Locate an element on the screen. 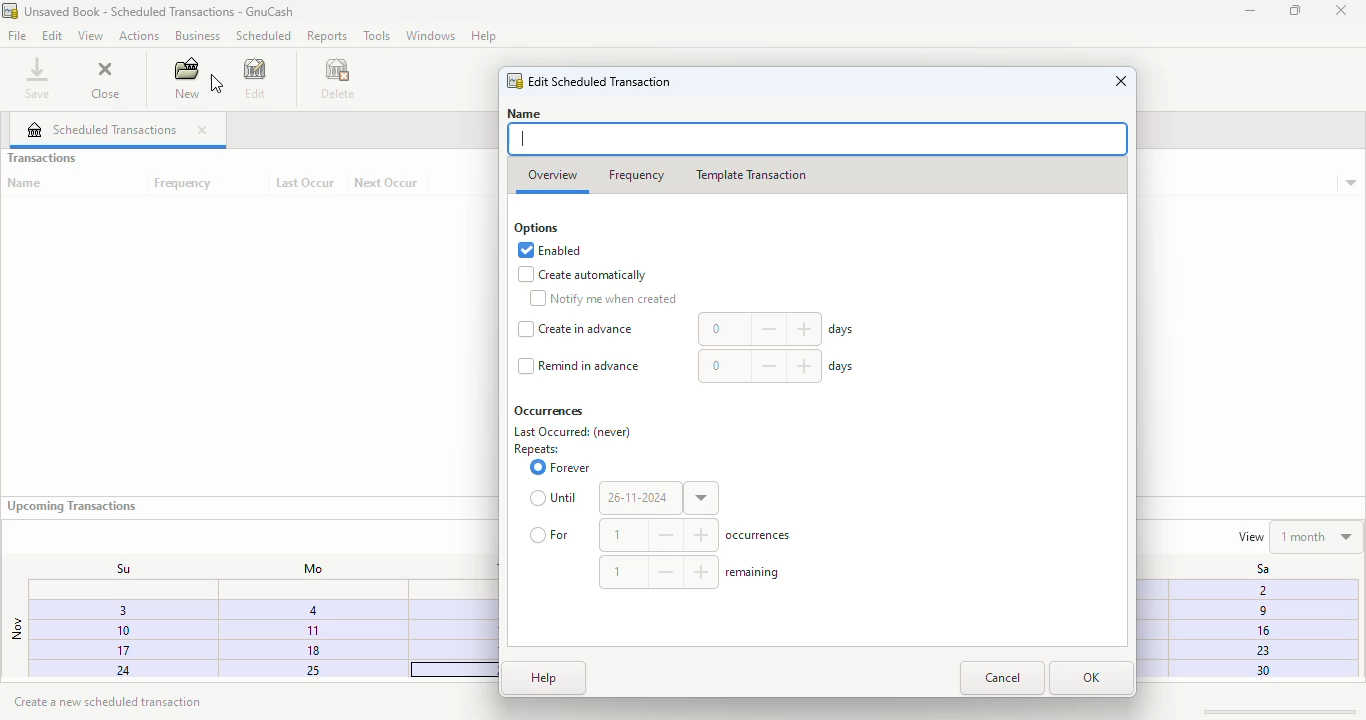  remind in advance is located at coordinates (579, 366).